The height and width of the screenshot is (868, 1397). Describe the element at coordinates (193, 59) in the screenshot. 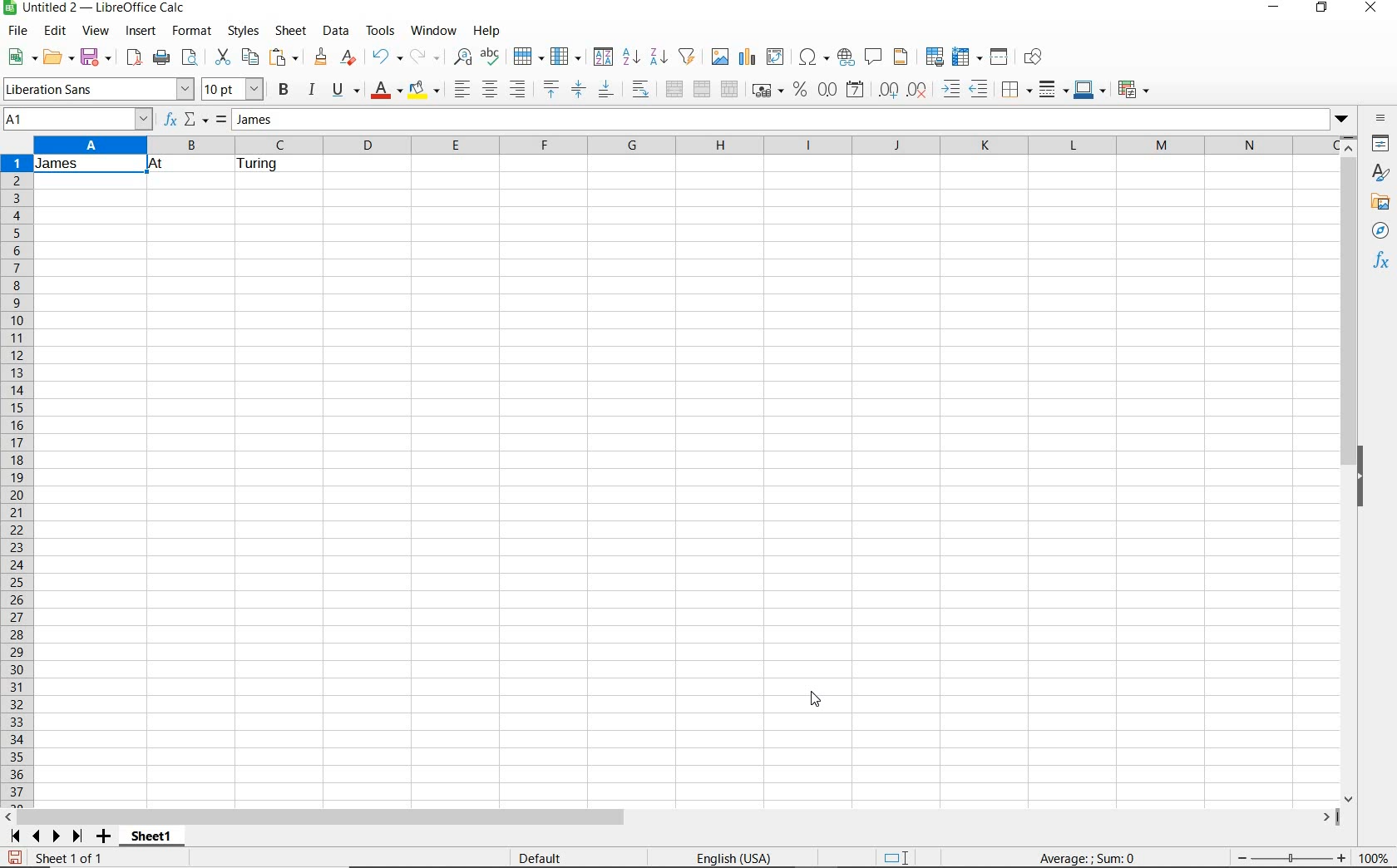

I see `toggle print preview` at that location.